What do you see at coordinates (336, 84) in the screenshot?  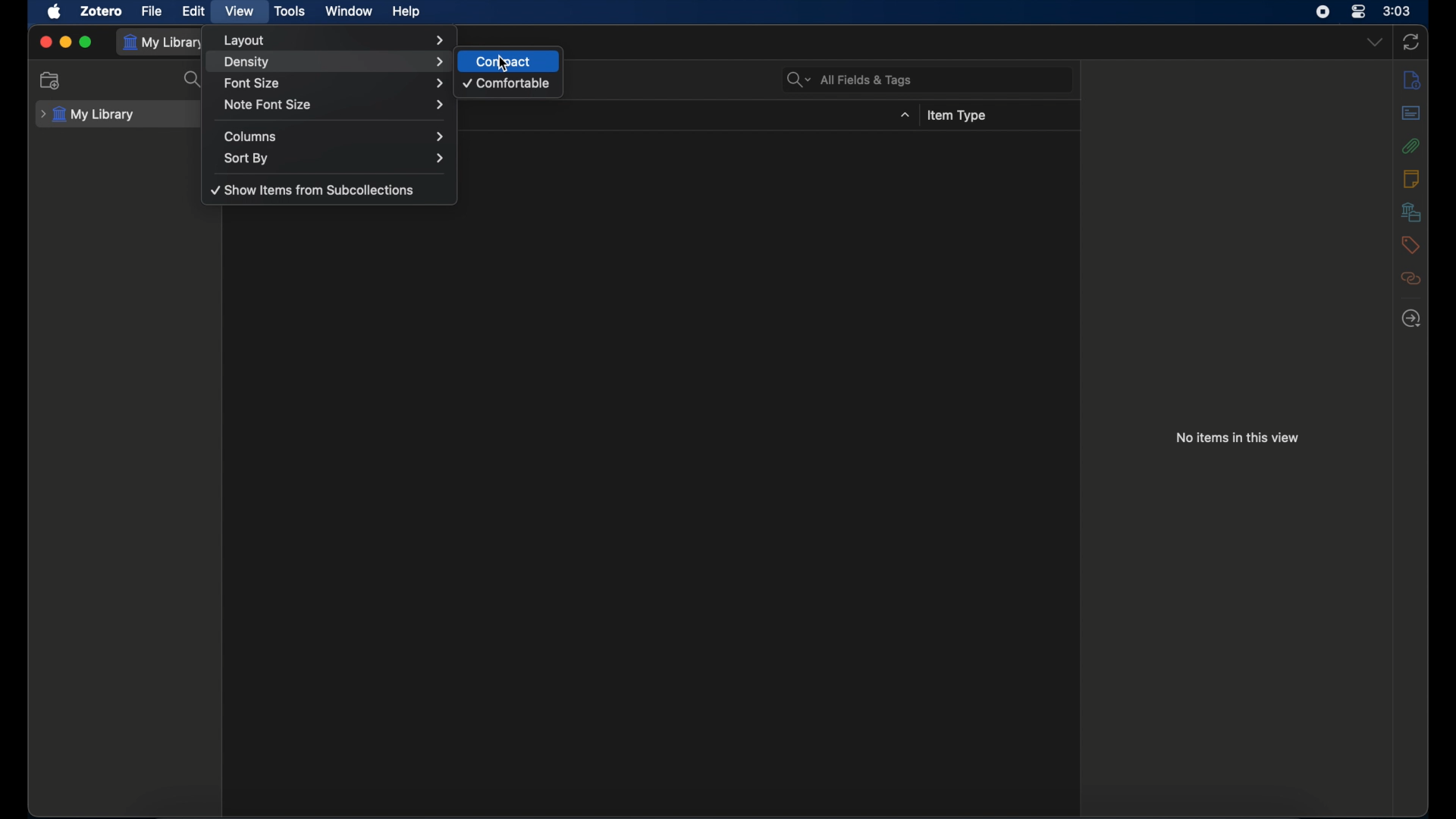 I see `font size` at bounding box center [336, 84].